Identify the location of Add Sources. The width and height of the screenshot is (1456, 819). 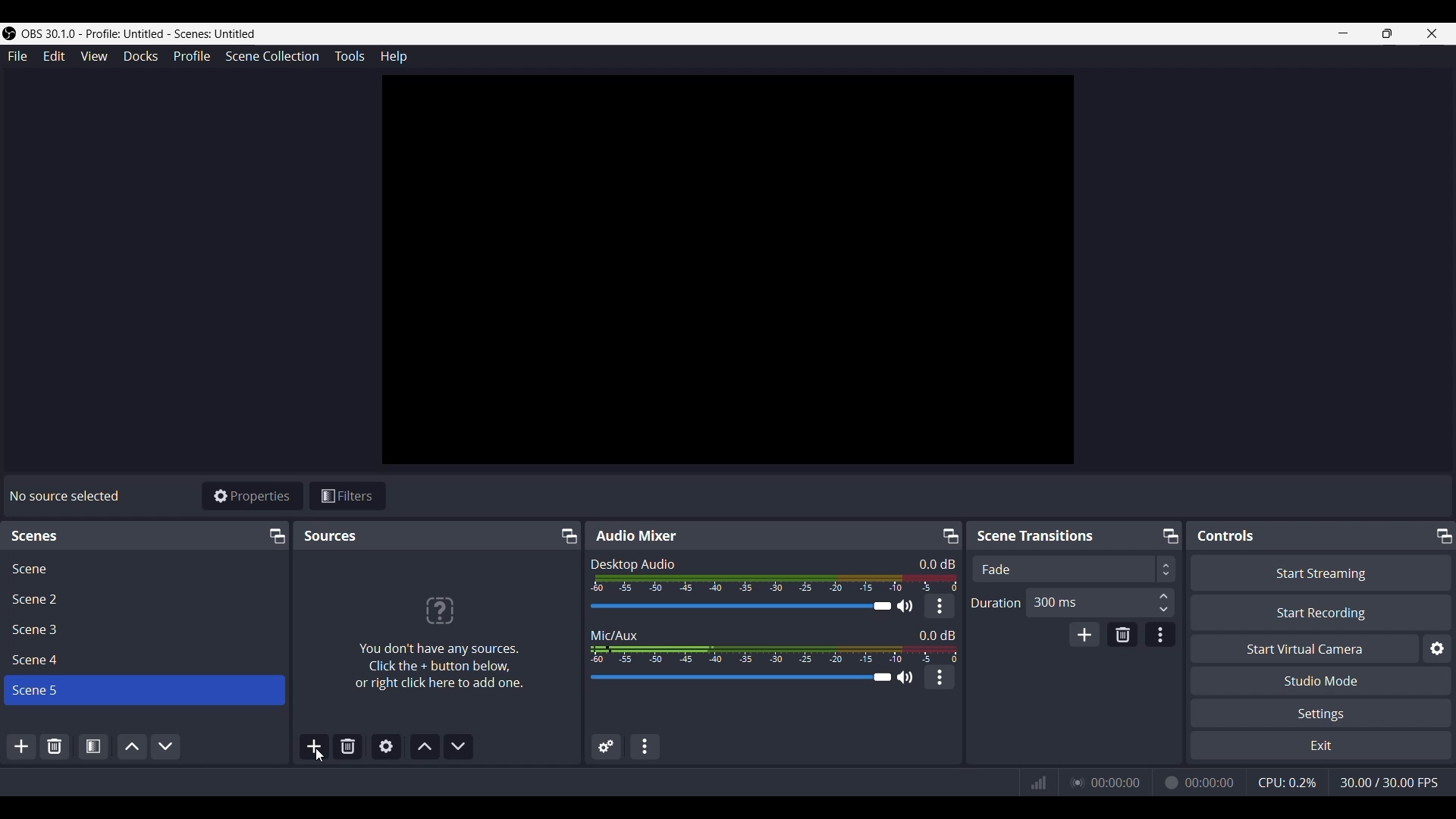
(312, 746).